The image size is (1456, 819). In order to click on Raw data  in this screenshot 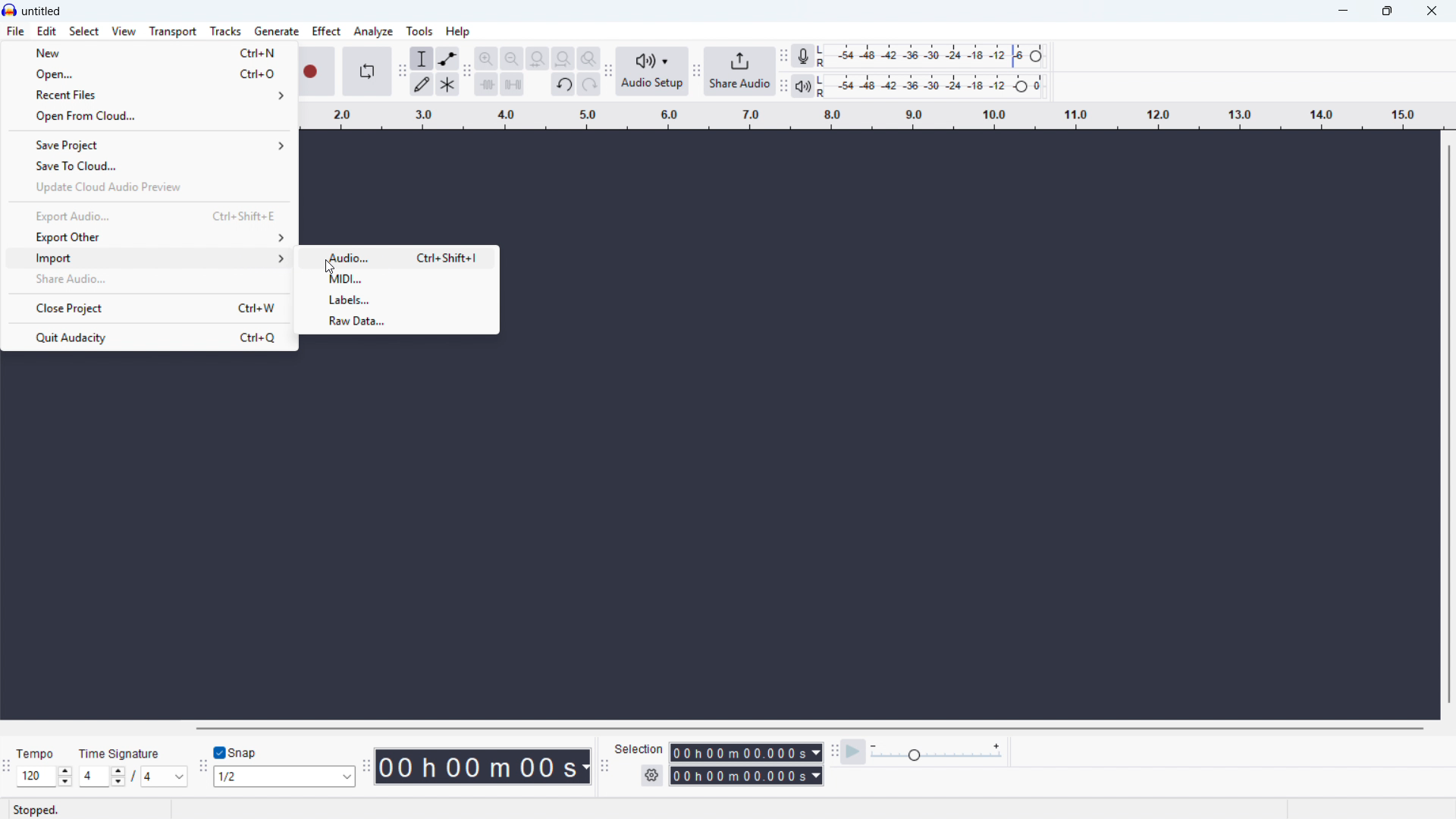, I will do `click(399, 320)`.